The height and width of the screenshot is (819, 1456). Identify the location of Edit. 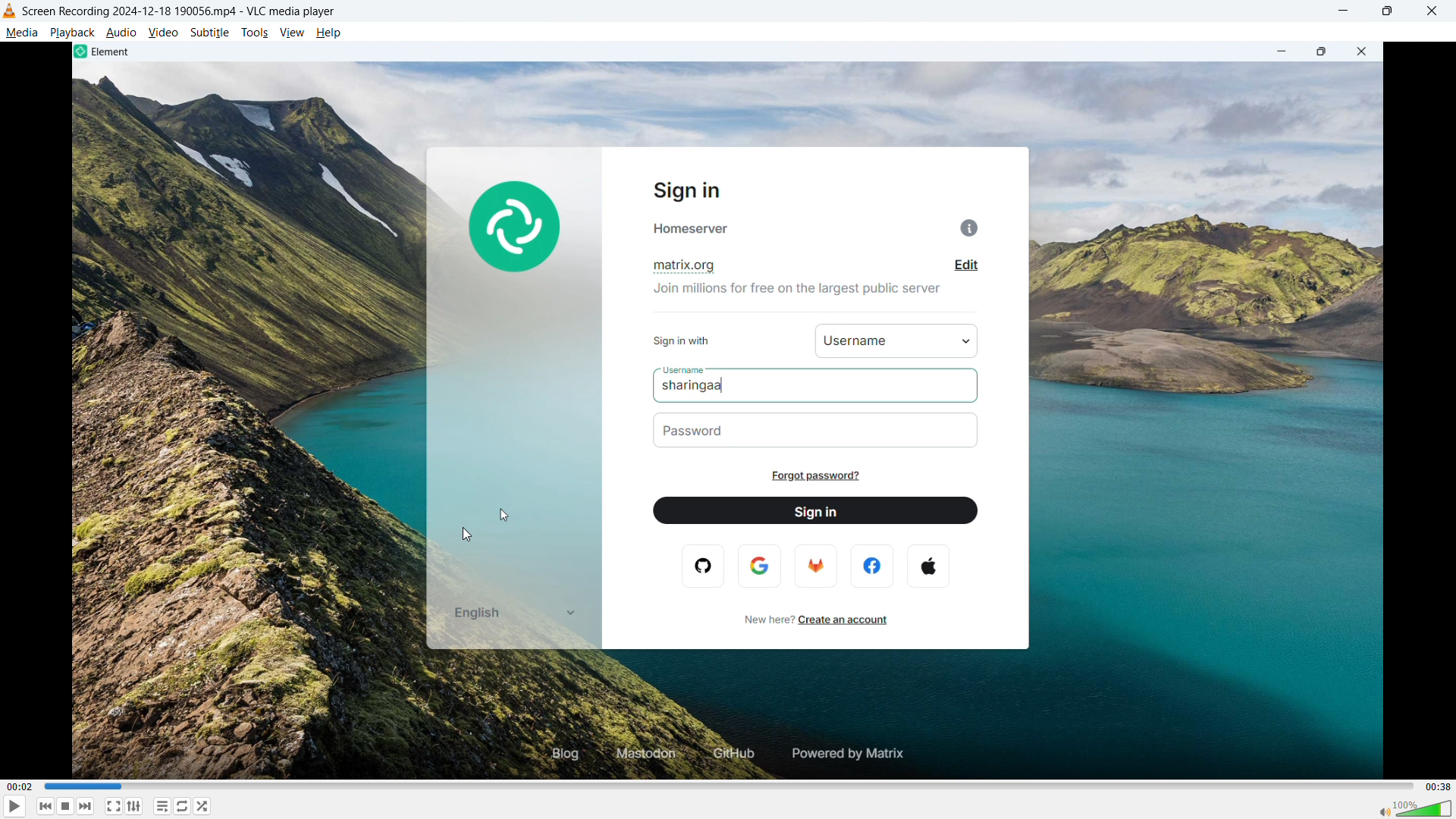
(962, 267).